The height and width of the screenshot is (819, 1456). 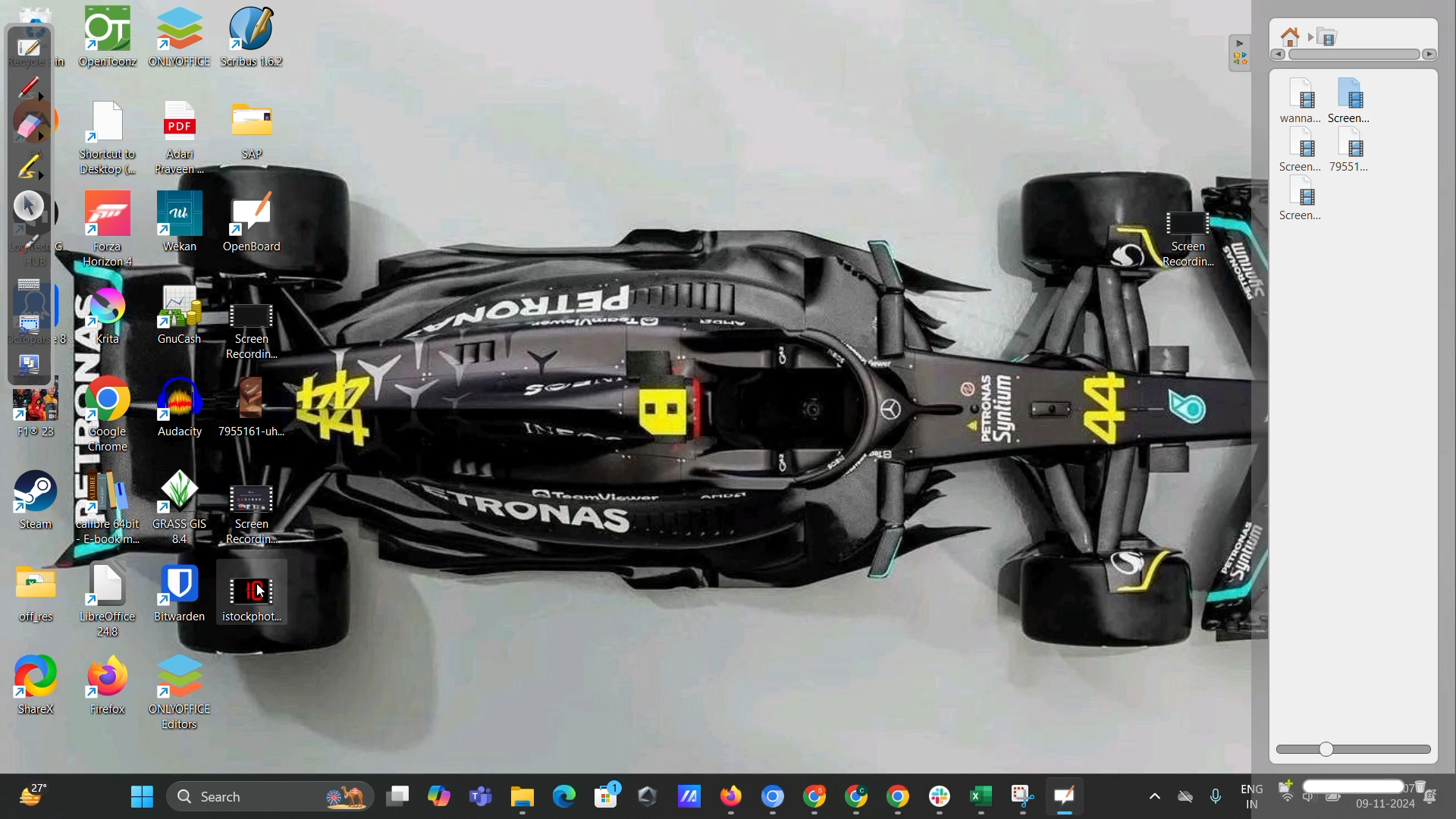 I want to click on display virtual keyboard, so click(x=30, y=287).